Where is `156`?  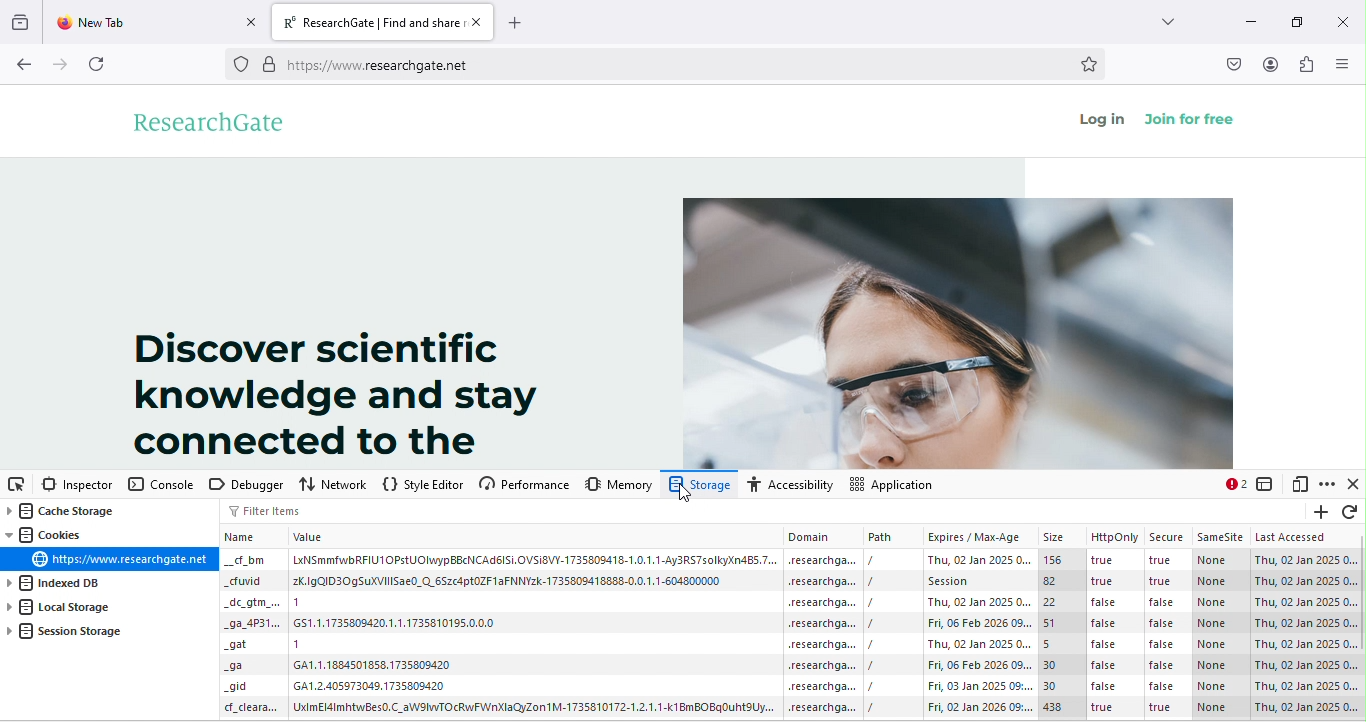 156 is located at coordinates (1057, 559).